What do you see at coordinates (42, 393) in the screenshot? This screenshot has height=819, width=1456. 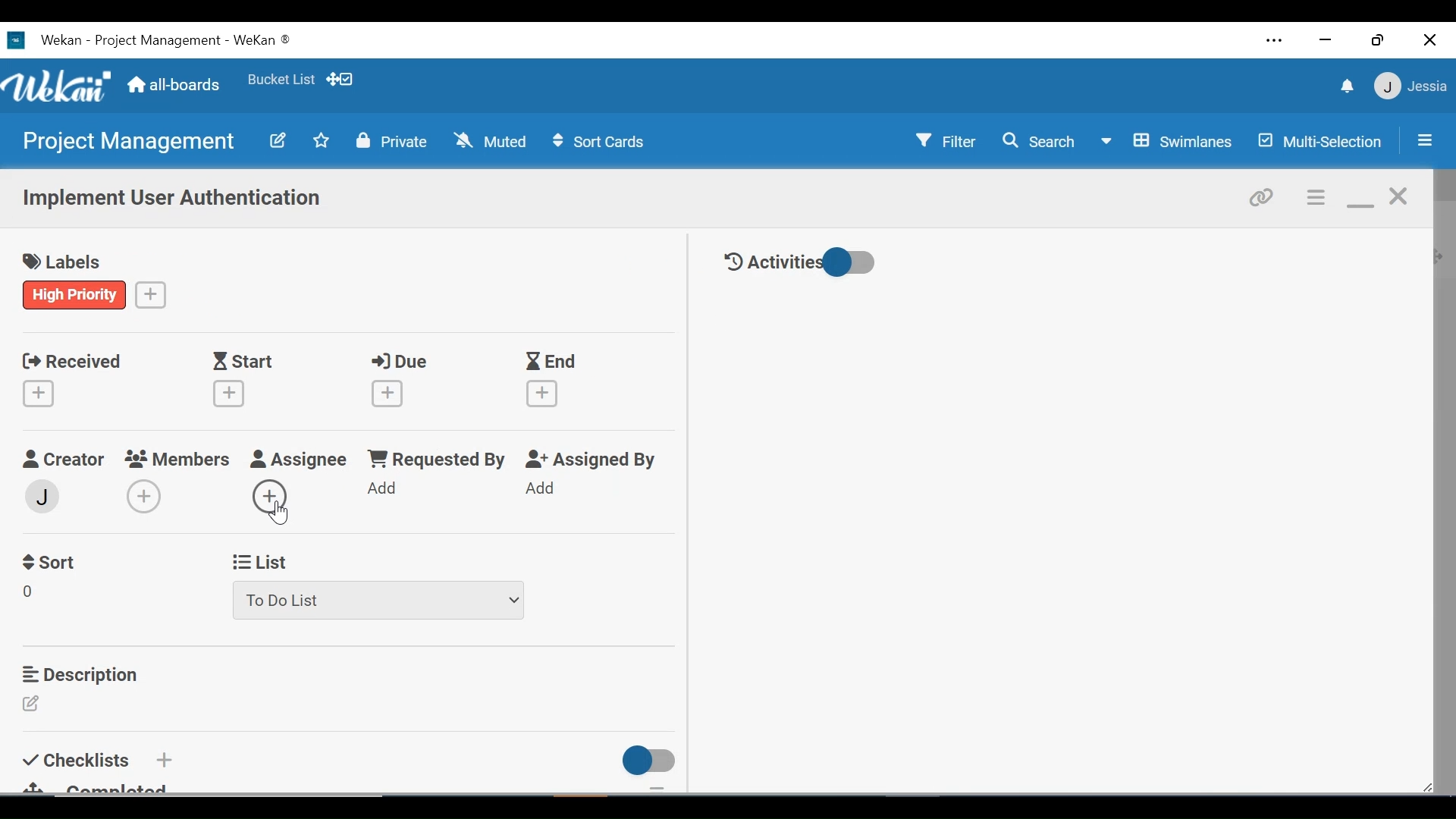 I see `Create Received Date` at bounding box center [42, 393].